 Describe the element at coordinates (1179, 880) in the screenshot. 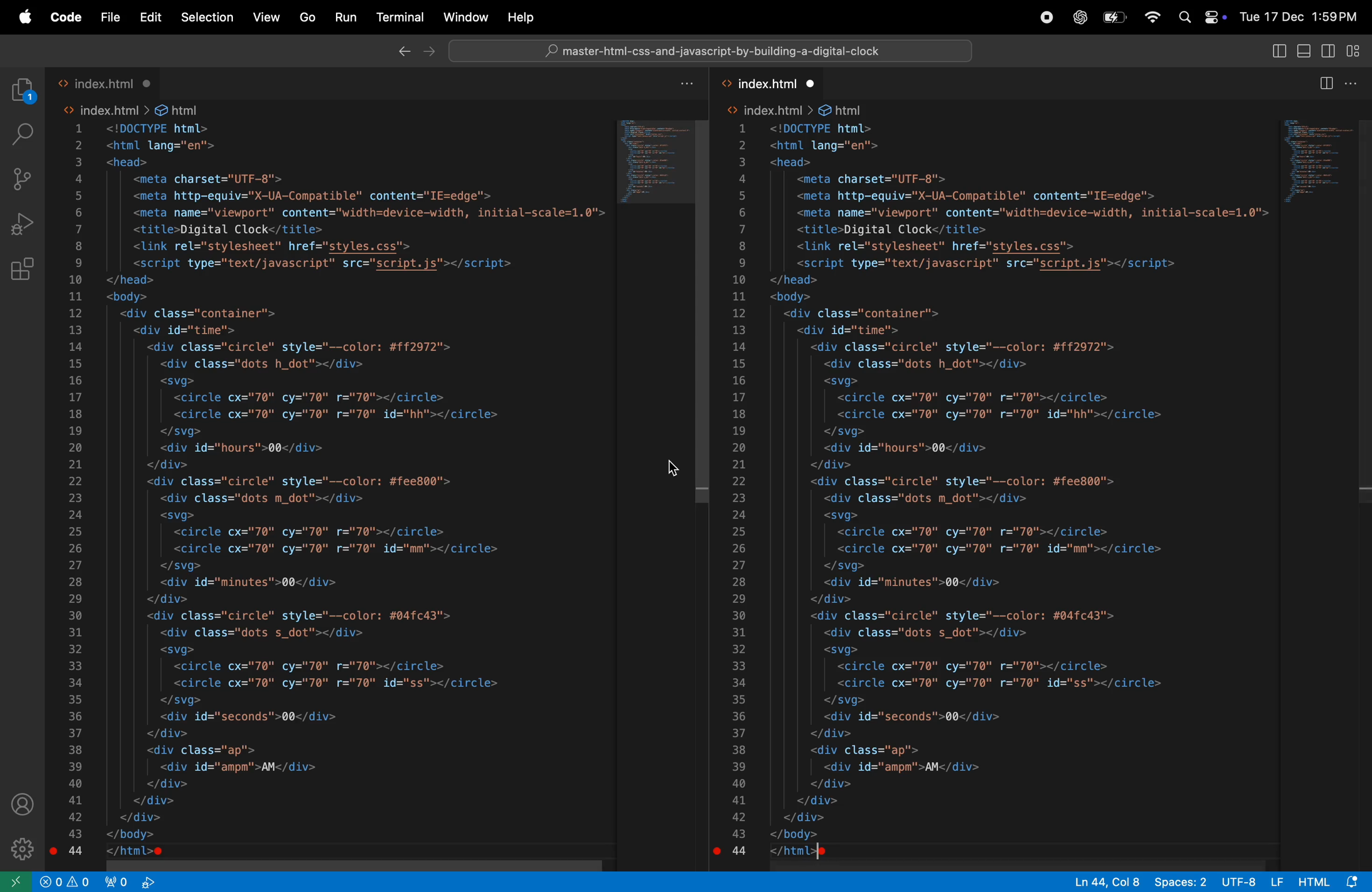

I see `spaces 2` at that location.